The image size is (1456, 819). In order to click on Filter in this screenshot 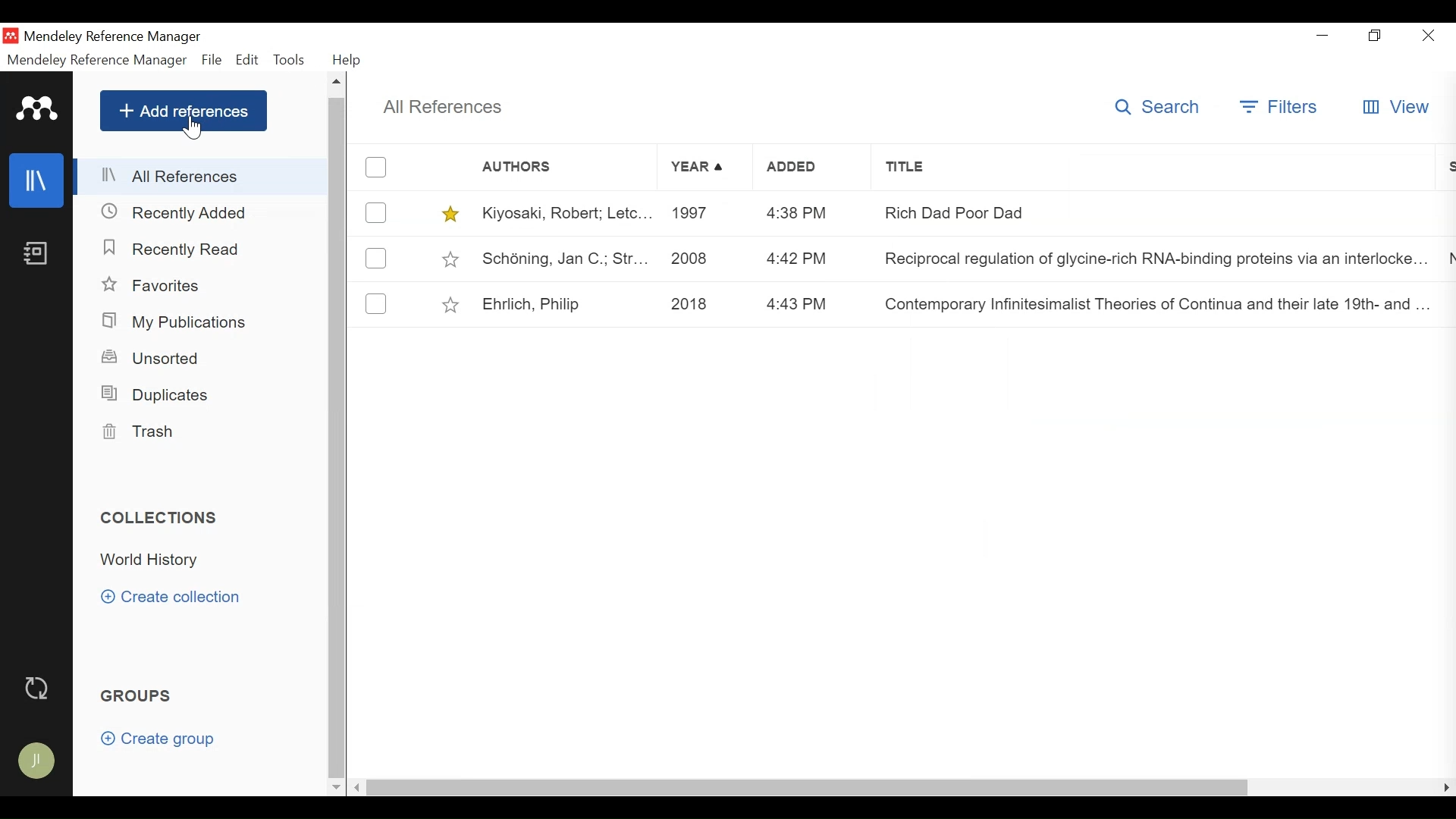, I will do `click(1280, 108)`.